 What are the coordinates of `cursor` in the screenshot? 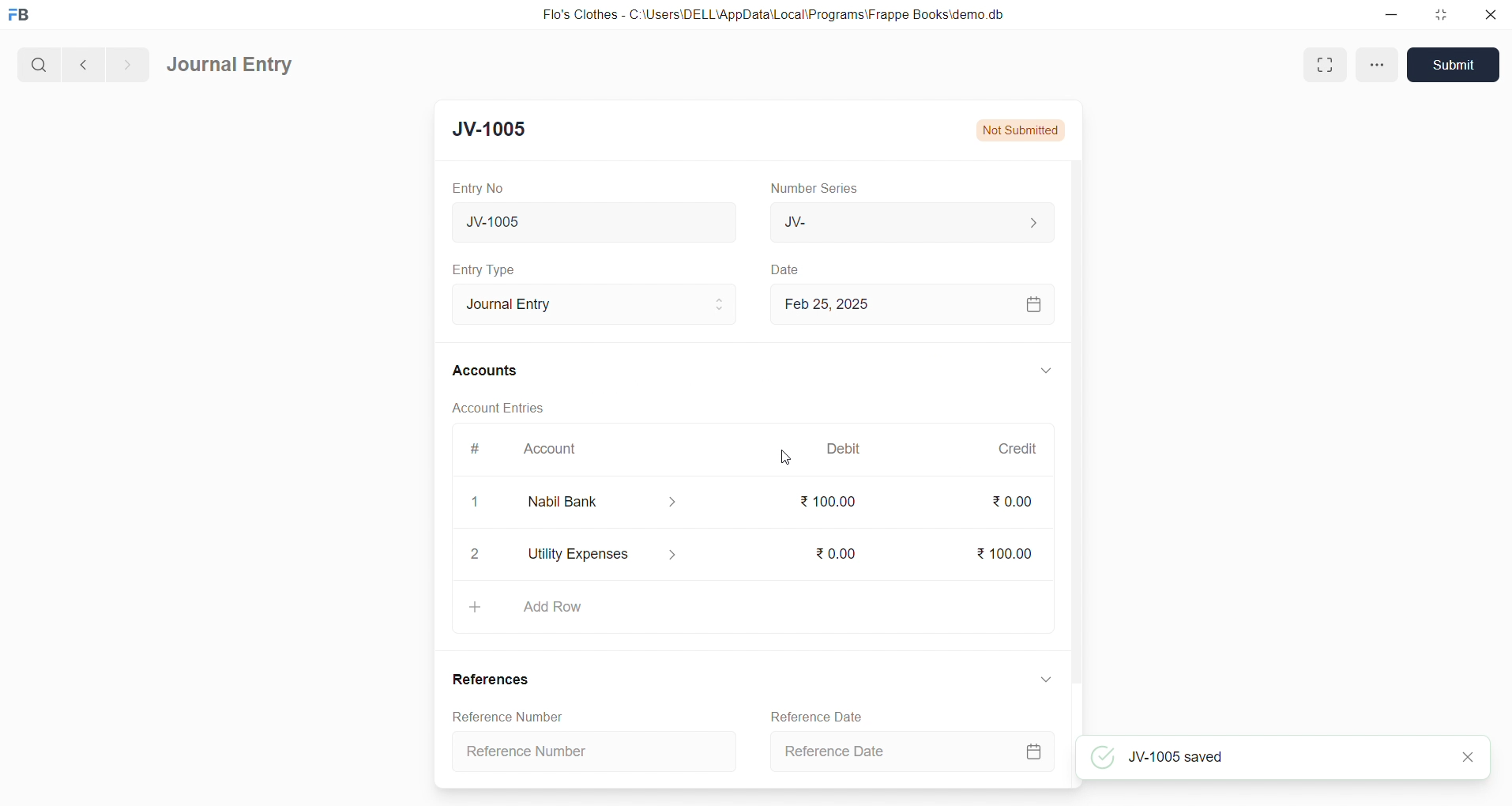 It's located at (786, 459).